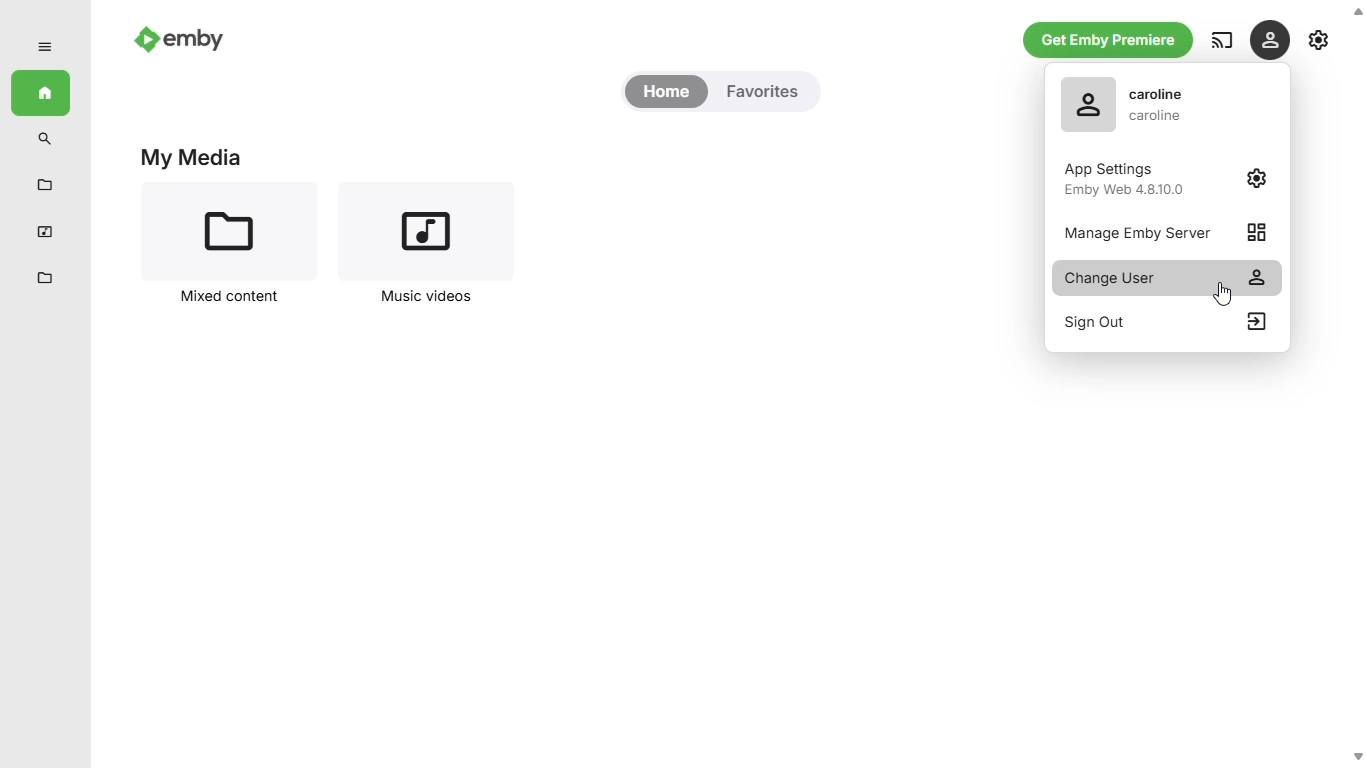  Describe the element at coordinates (180, 37) in the screenshot. I see `emby` at that location.